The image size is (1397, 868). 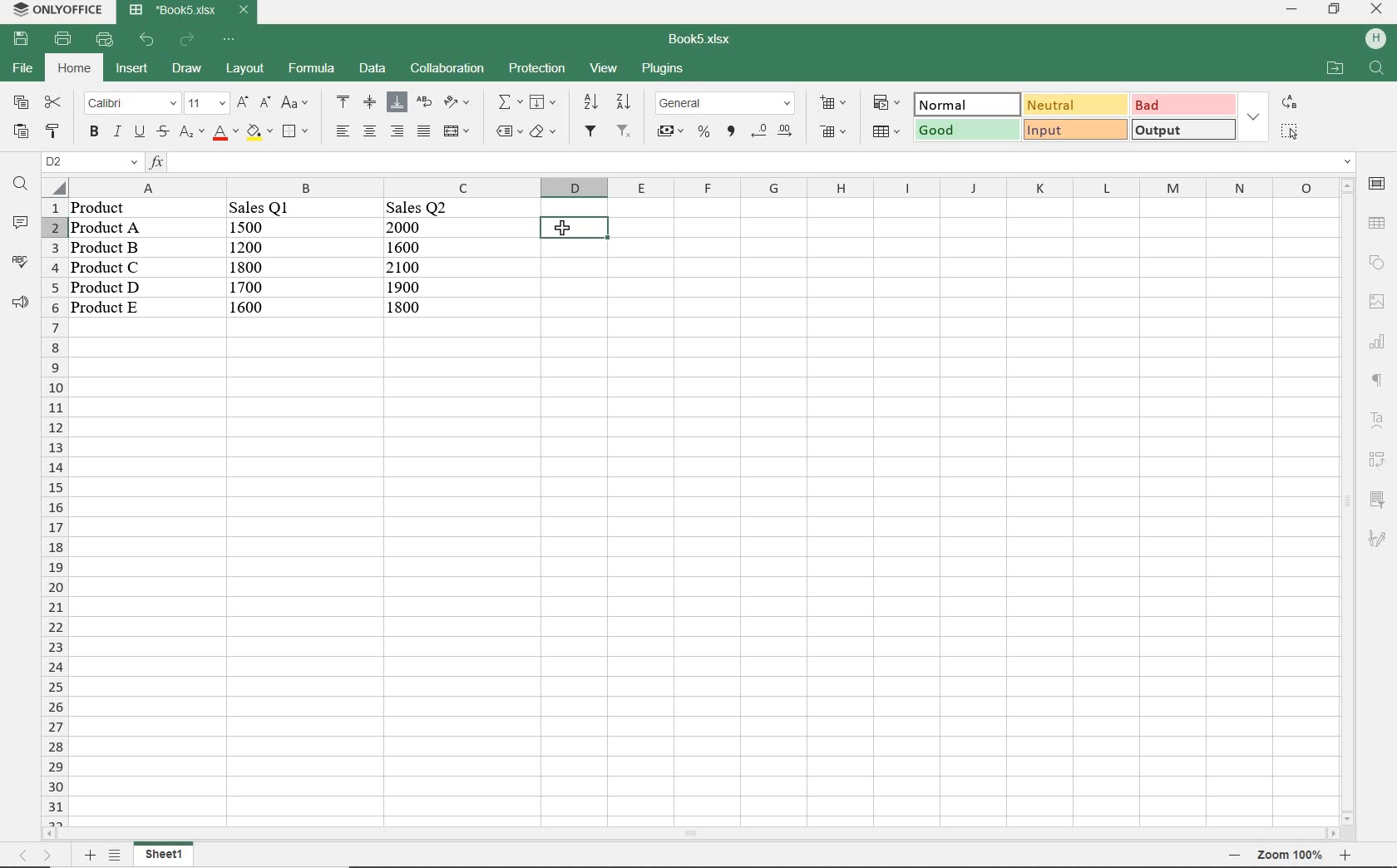 I want to click on clear, so click(x=544, y=133).